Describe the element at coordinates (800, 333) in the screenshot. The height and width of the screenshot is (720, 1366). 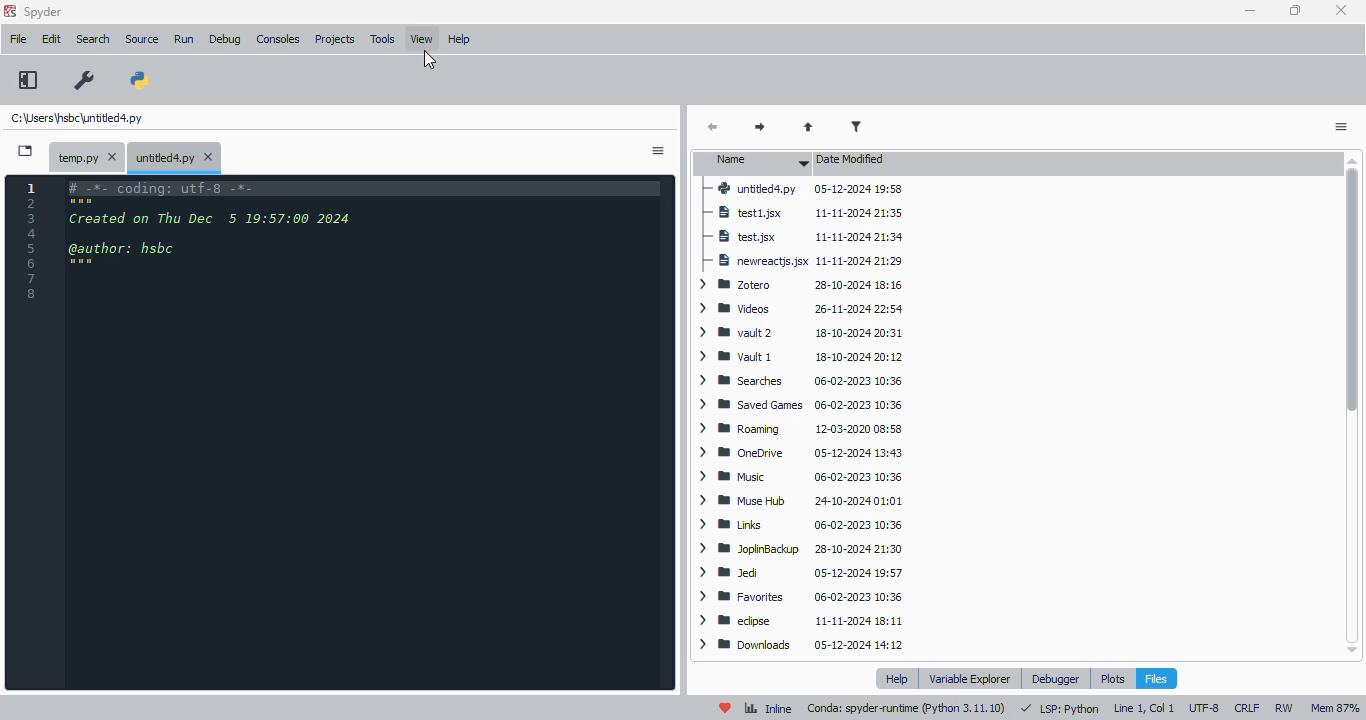
I see `vault 2` at that location.